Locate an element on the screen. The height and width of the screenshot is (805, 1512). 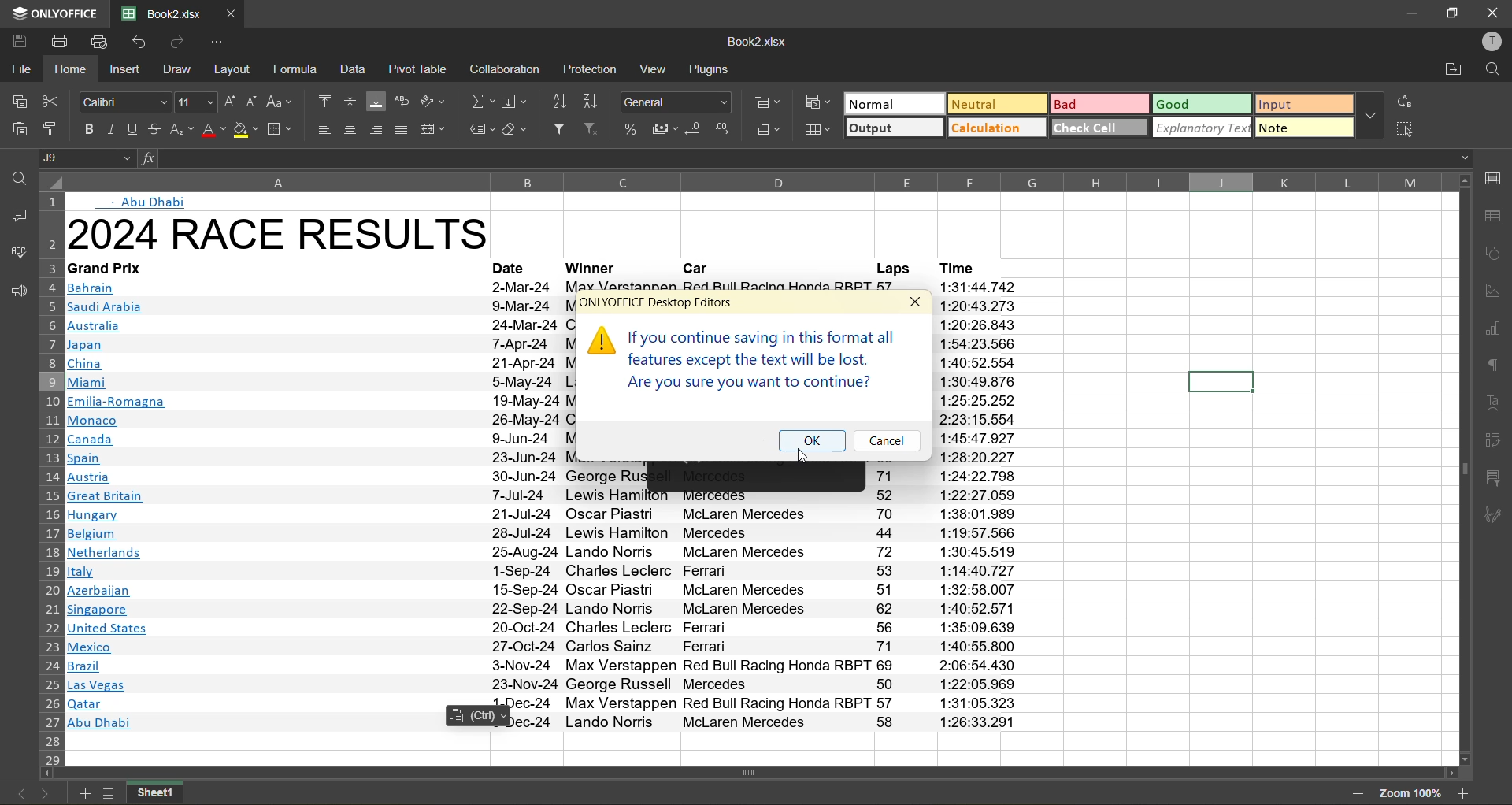
decrease decimal is located at coordinates (694, 128).